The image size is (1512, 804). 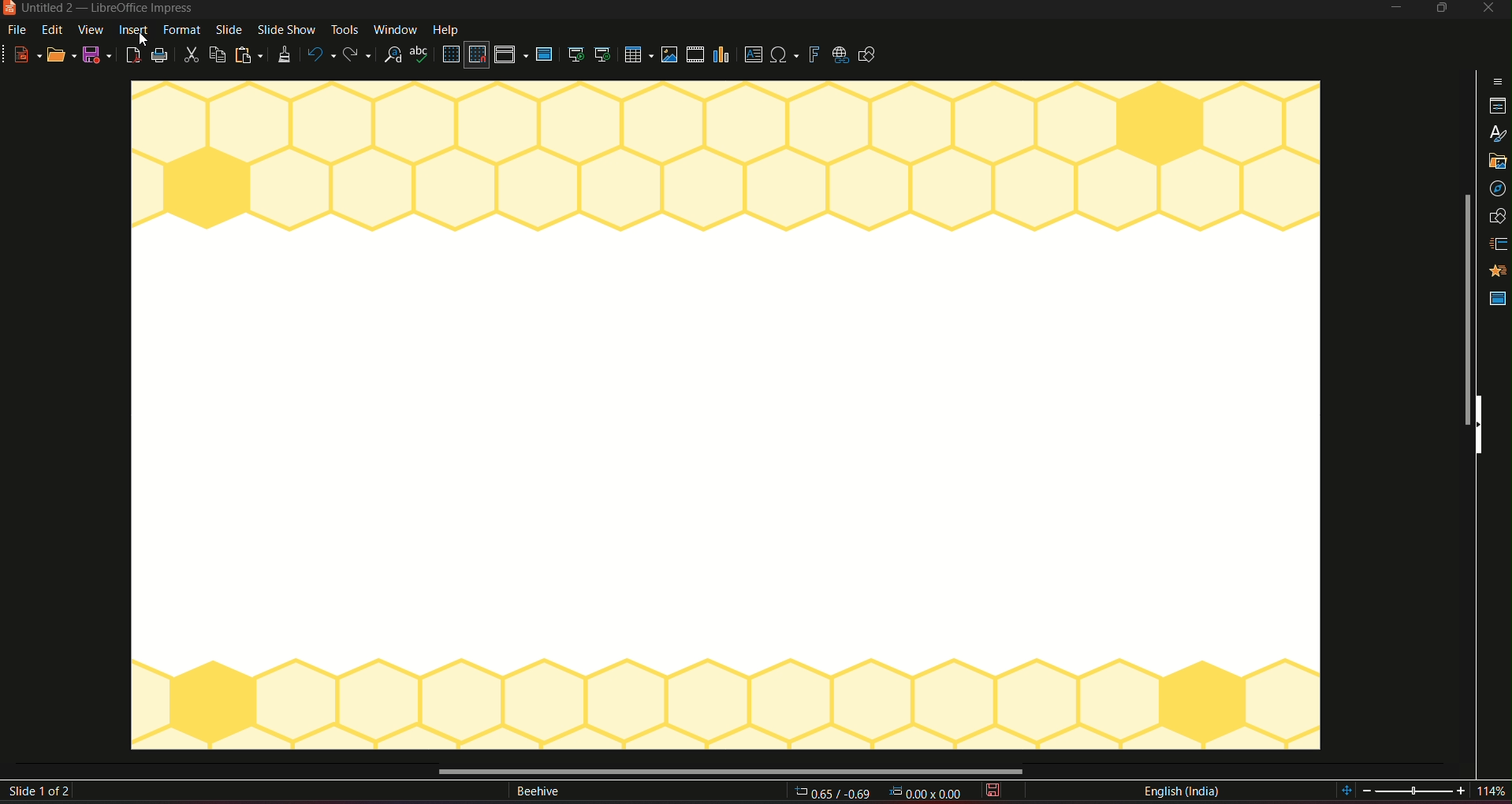 What do you see at coordinates (695, 55) in the screenshot?
I see `insert audio/video` at bounding box center [695, 55].